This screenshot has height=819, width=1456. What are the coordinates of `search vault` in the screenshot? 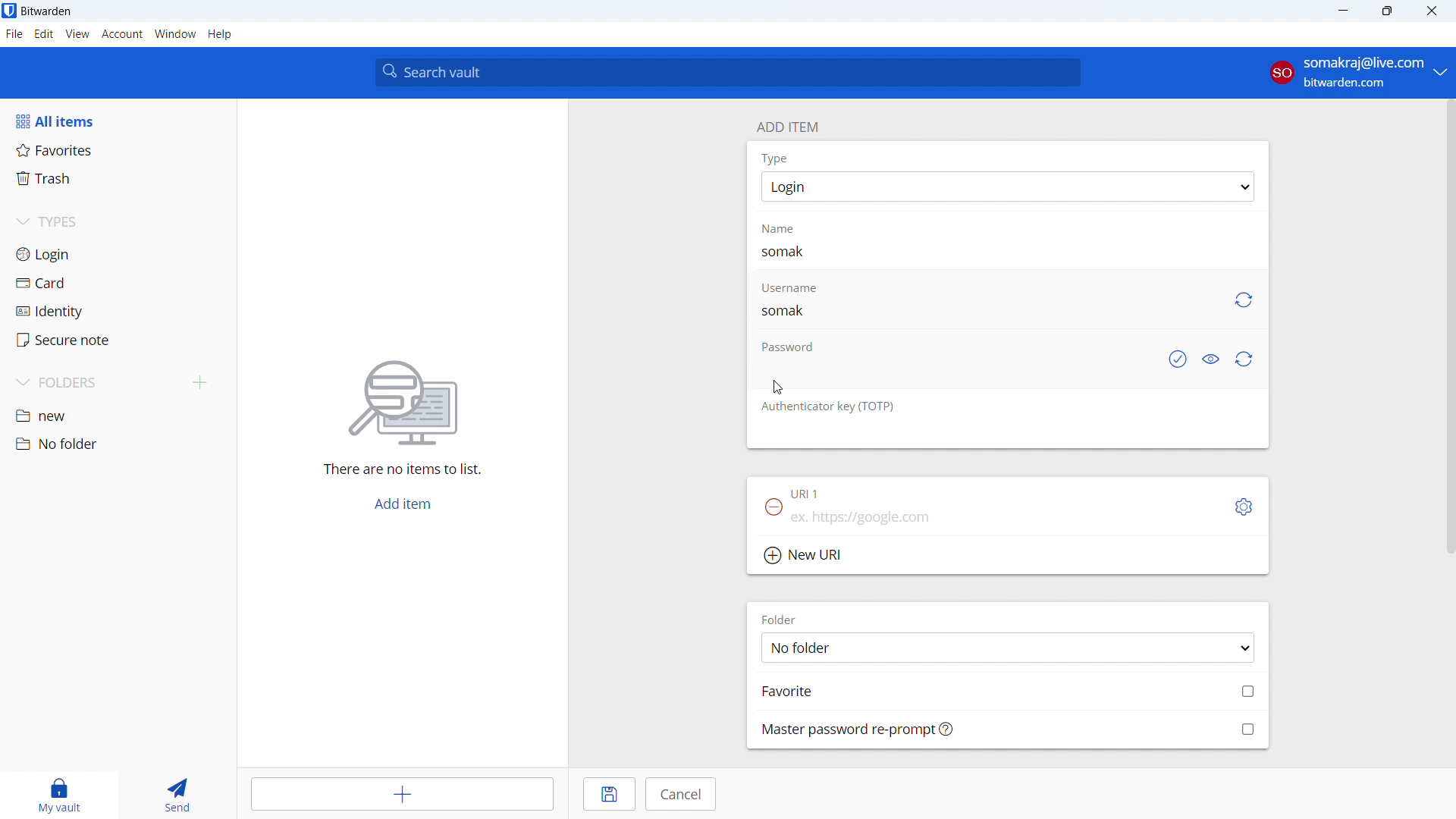 It's located at (727, 72).